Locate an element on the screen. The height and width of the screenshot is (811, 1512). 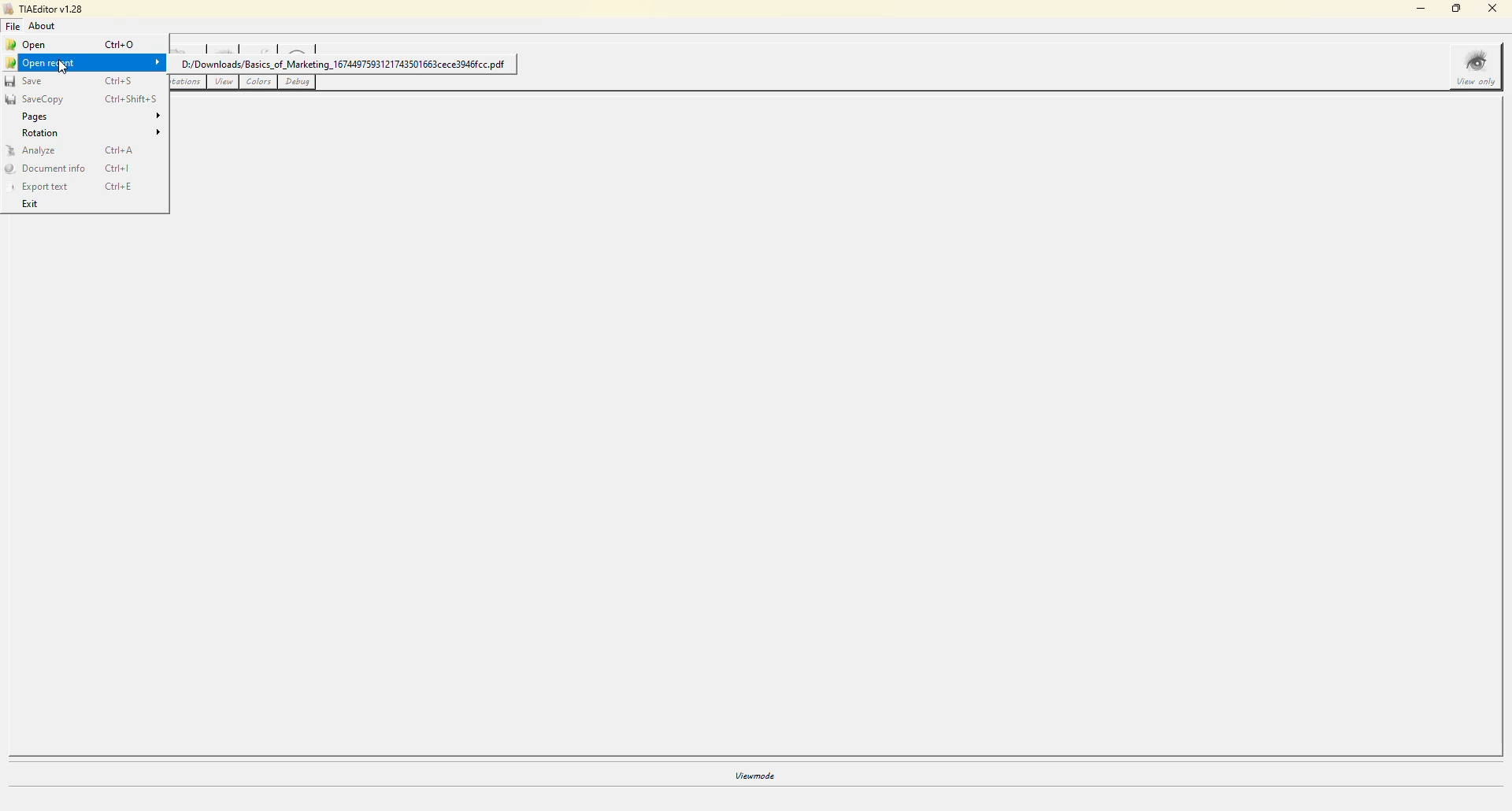
savecopy is located at coordinates (34, 100).